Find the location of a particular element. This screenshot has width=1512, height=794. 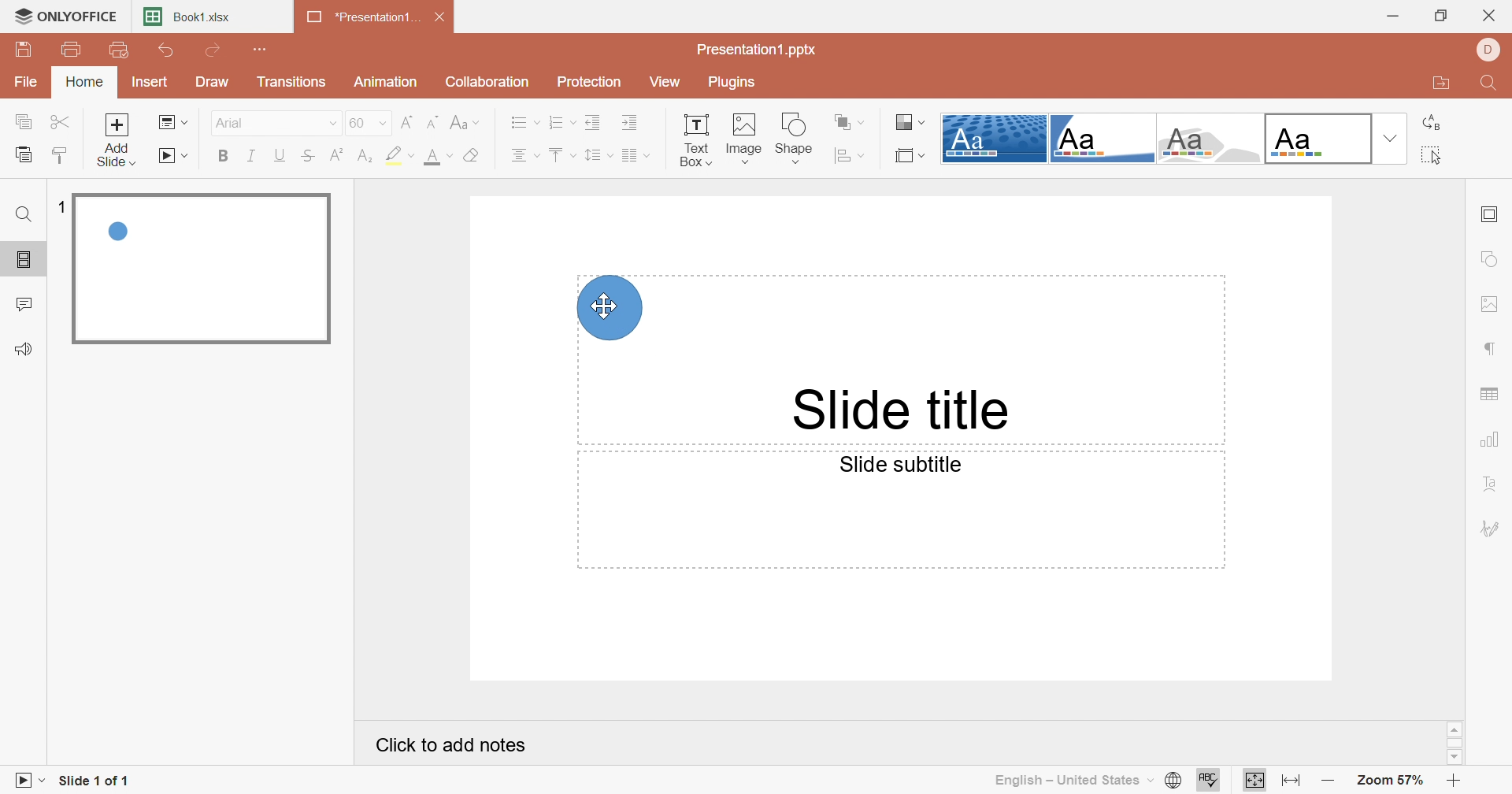

Horizontal align is located at coordinates (524, 121).